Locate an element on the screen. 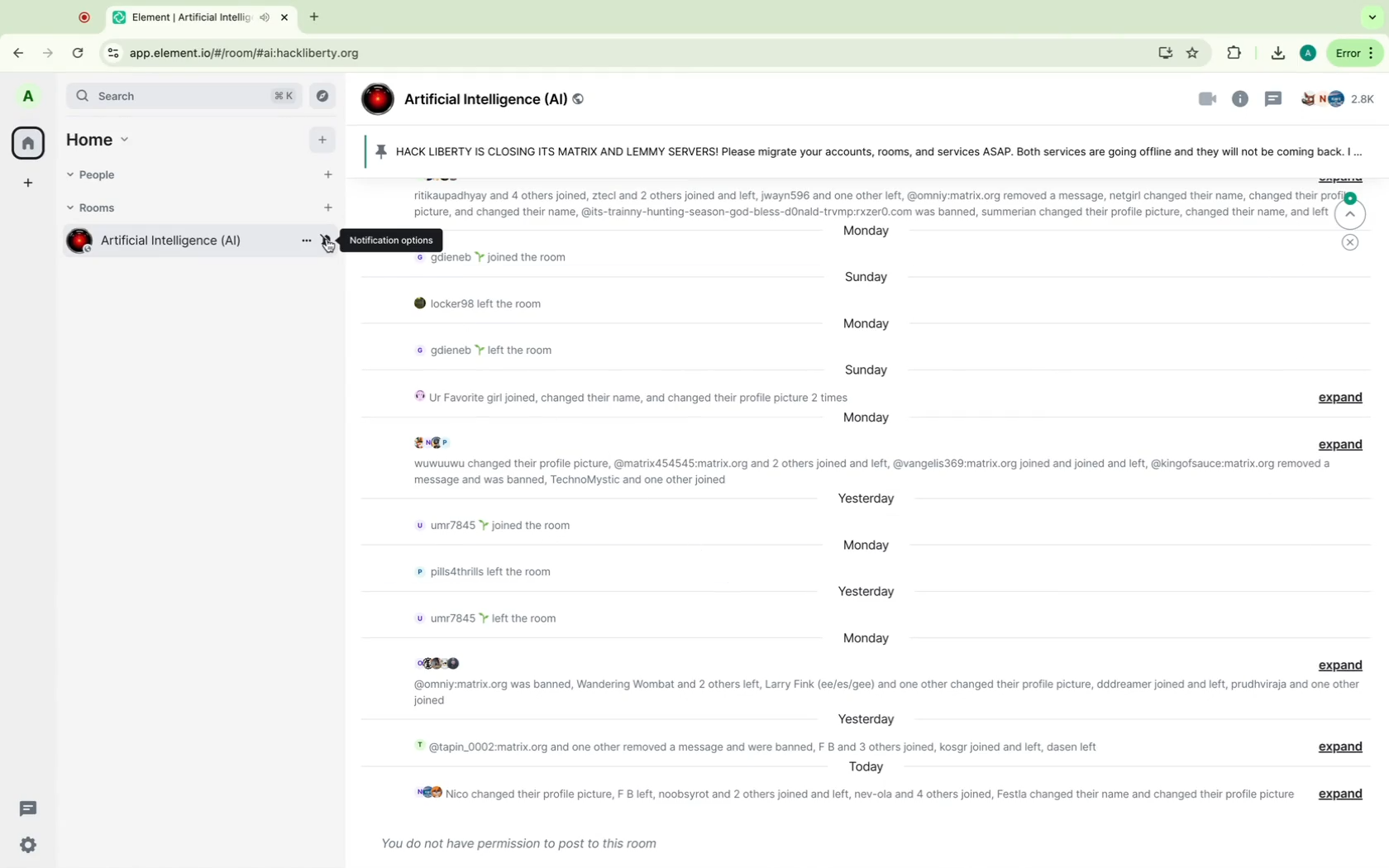  downloads is located at coordinates (1273, 51).